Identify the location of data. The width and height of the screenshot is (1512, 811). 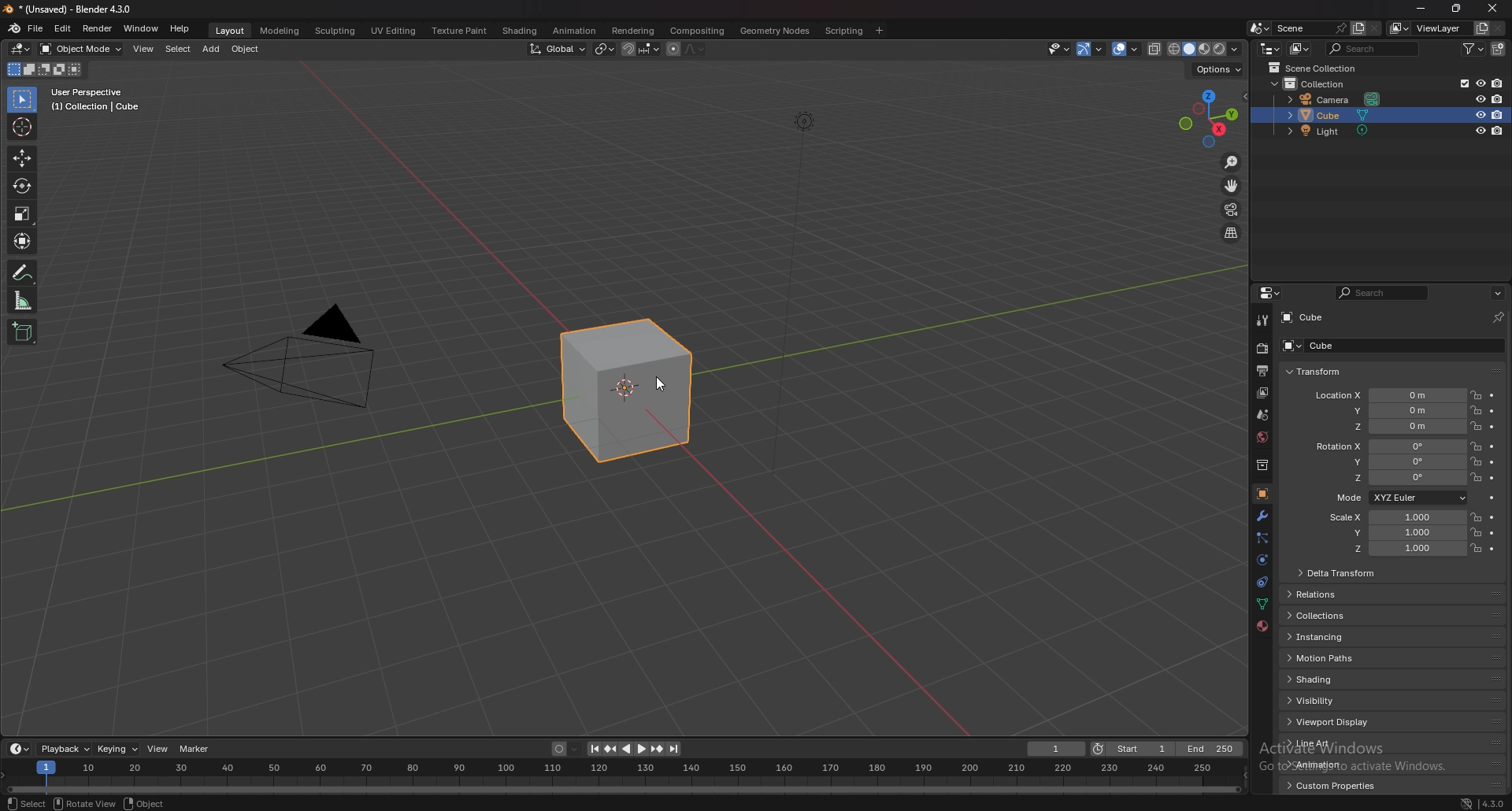
(1261, 605).